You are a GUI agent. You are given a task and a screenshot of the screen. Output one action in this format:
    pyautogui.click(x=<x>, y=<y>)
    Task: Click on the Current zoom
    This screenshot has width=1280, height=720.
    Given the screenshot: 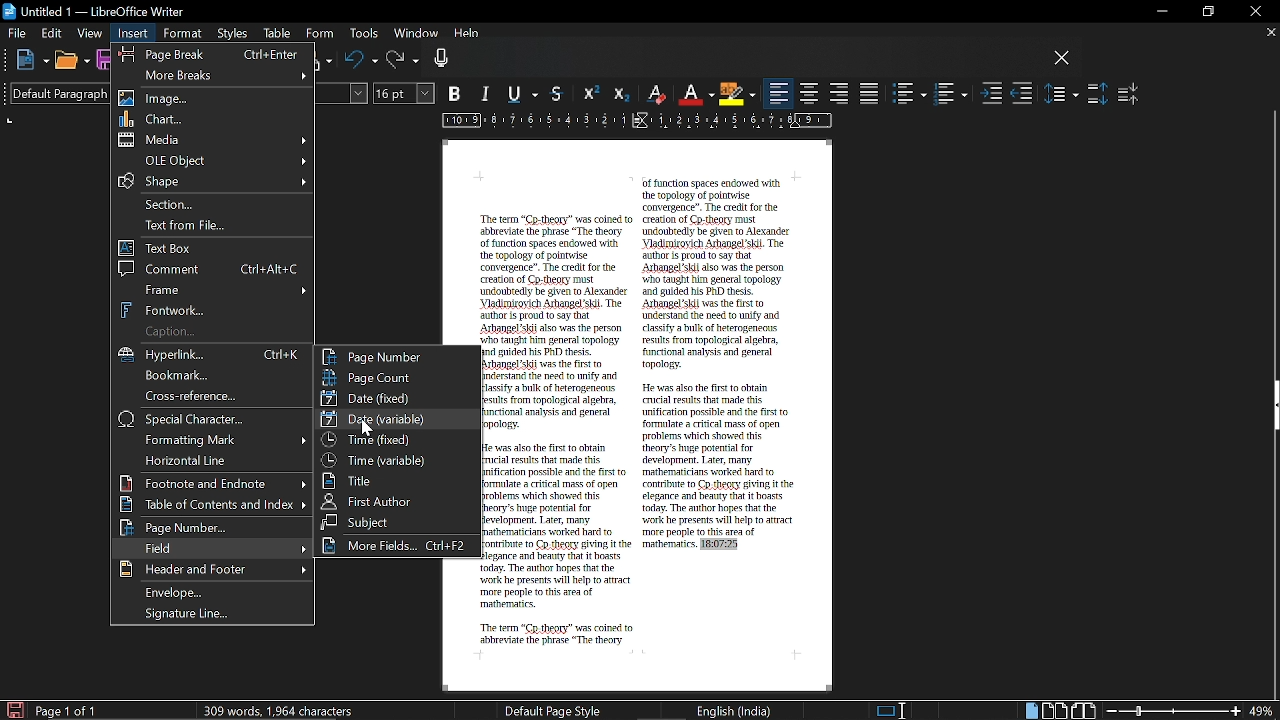 What is the action you would take?
    pyautogui.click(x=1263, y=711)
    